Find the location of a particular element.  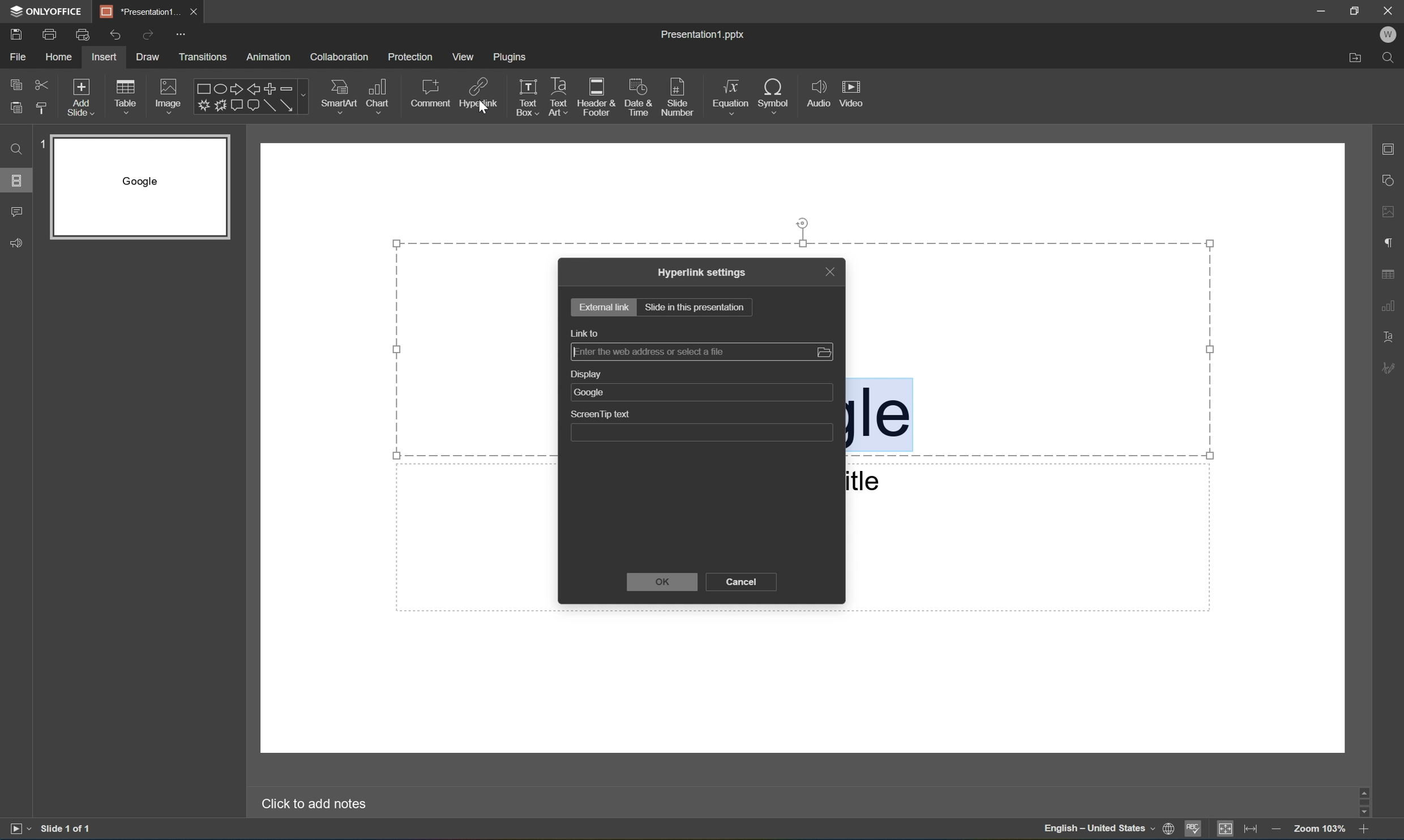

Set document language is located at coordinates (1169, 829).